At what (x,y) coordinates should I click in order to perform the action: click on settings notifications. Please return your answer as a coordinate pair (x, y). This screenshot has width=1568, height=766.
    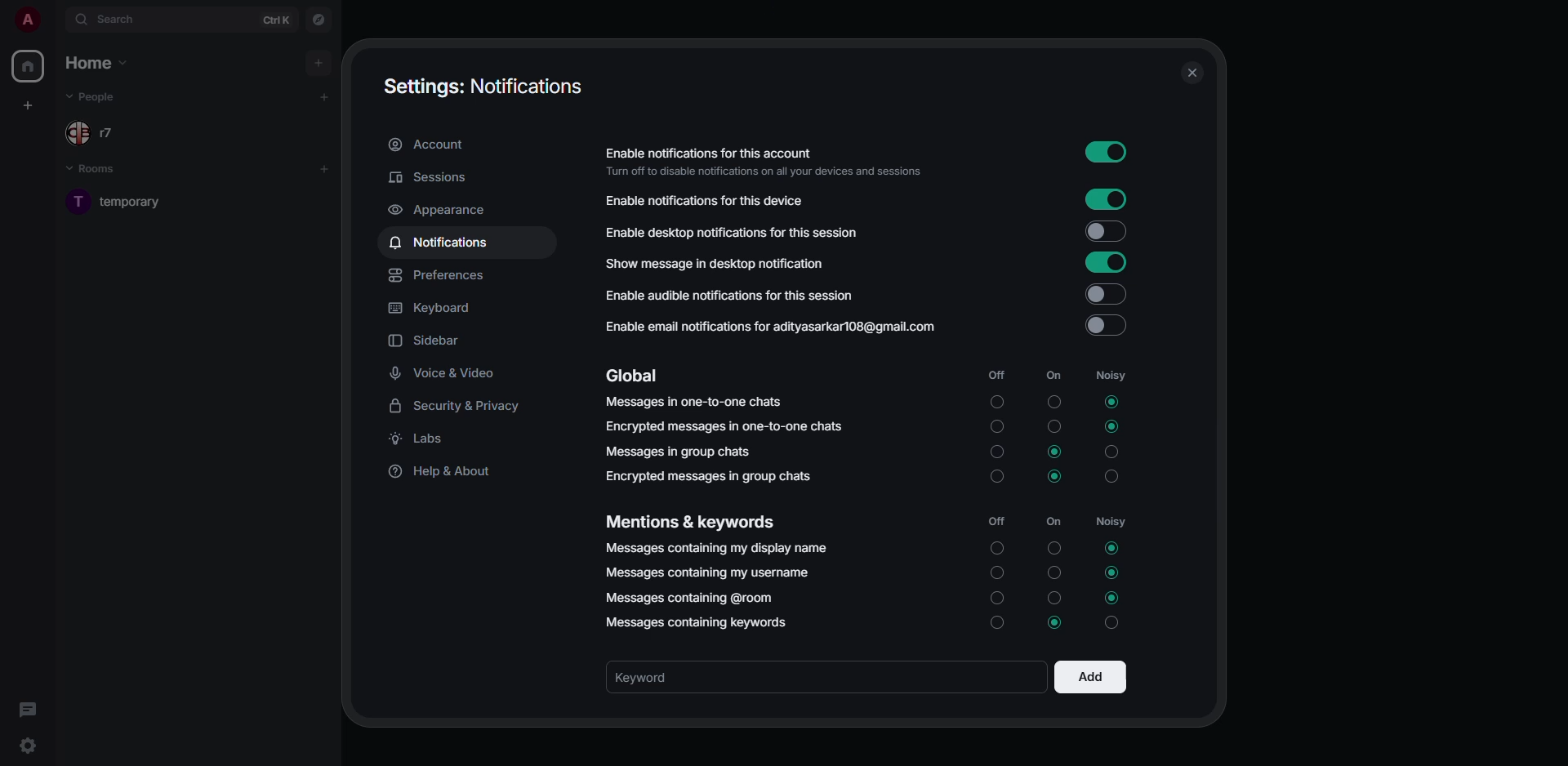
    Looking at the image, I should click on (483, 89).